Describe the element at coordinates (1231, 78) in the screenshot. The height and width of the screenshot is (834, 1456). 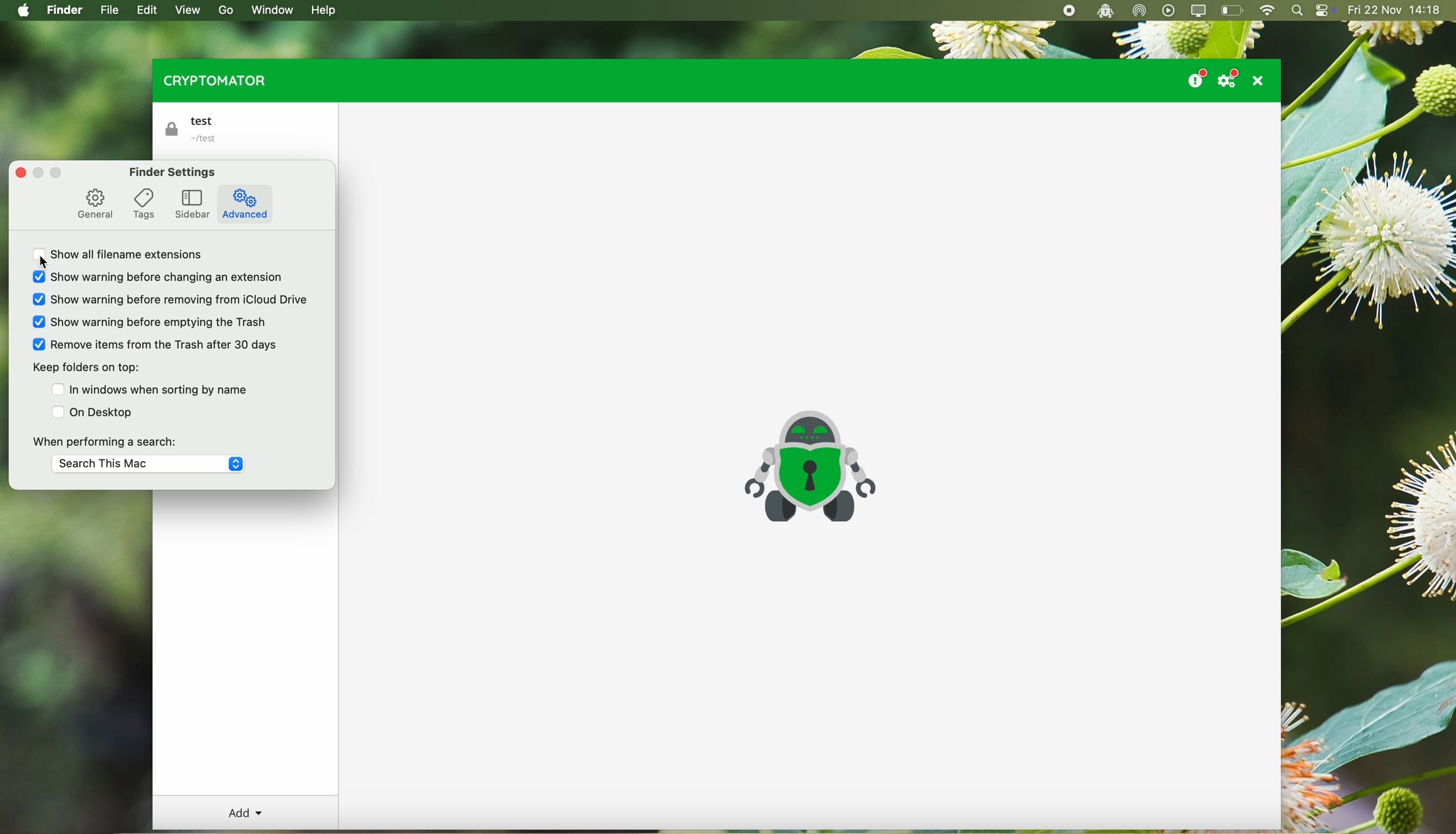
I see `settings` at that location.